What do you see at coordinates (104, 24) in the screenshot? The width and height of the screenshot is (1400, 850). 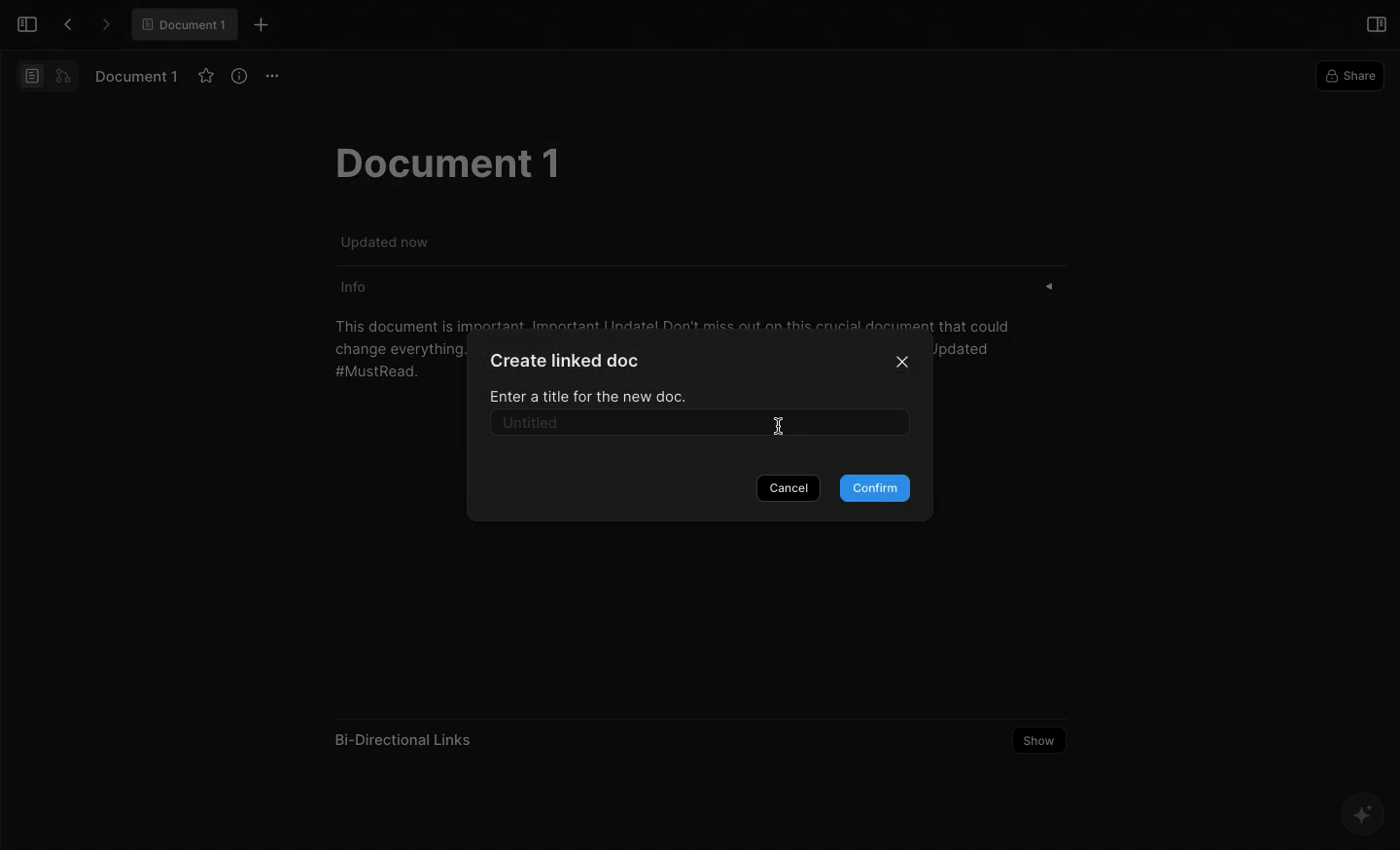 I see `Forward` at bounding box center [104, 24].